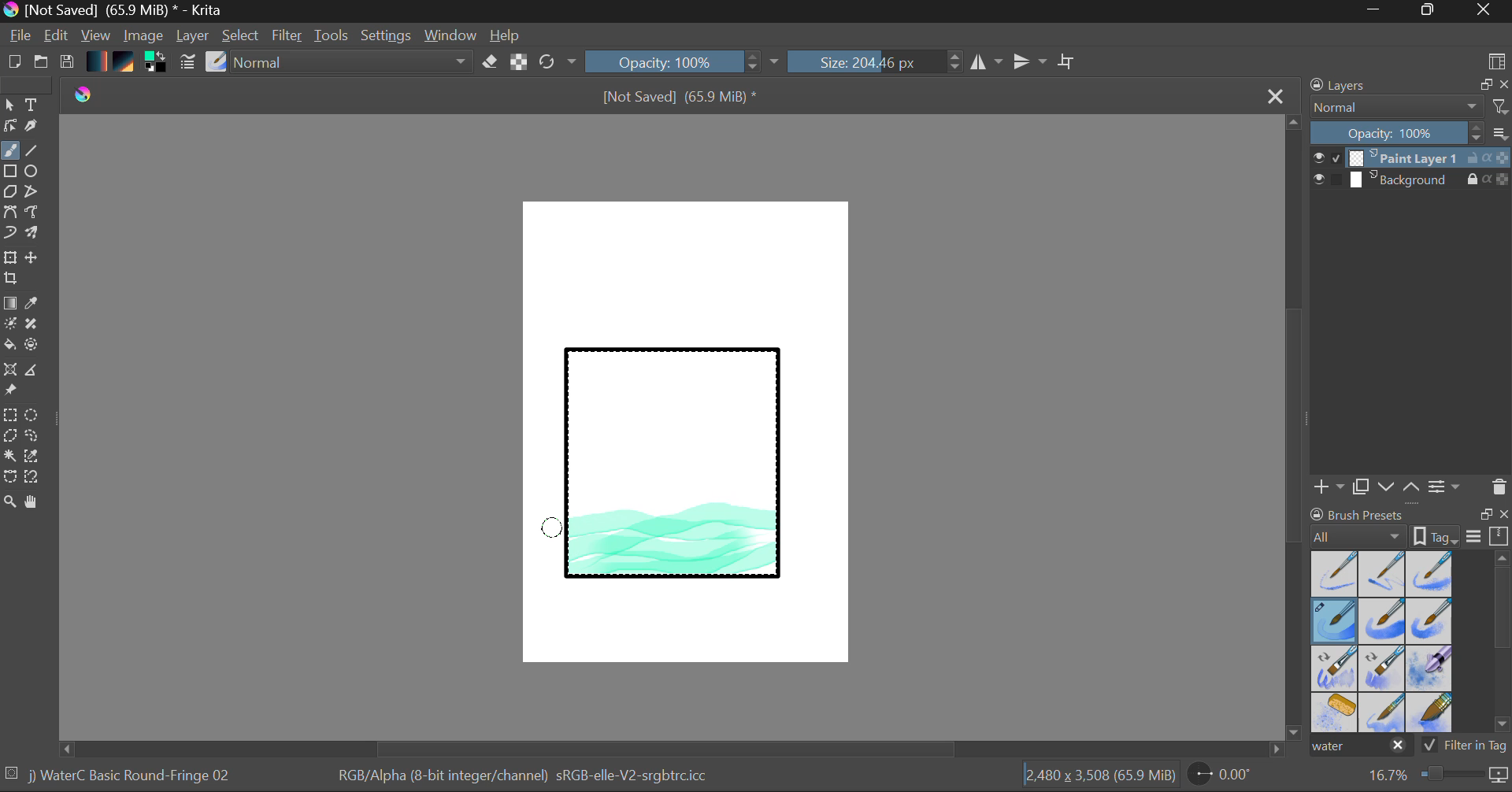  I want to click on Color Information, so click(521, 777).